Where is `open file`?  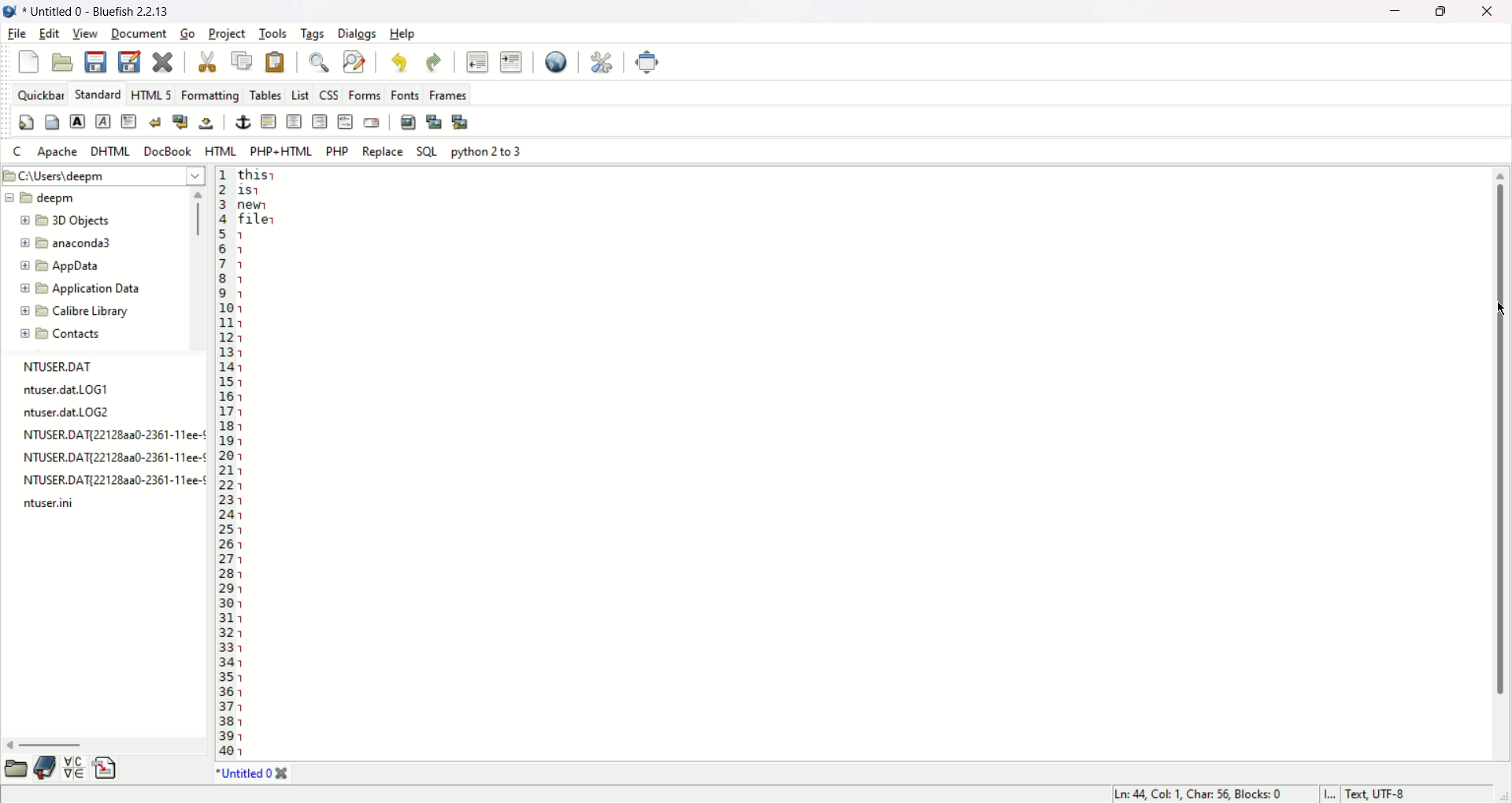
open file is located at coordinates (63, 61).